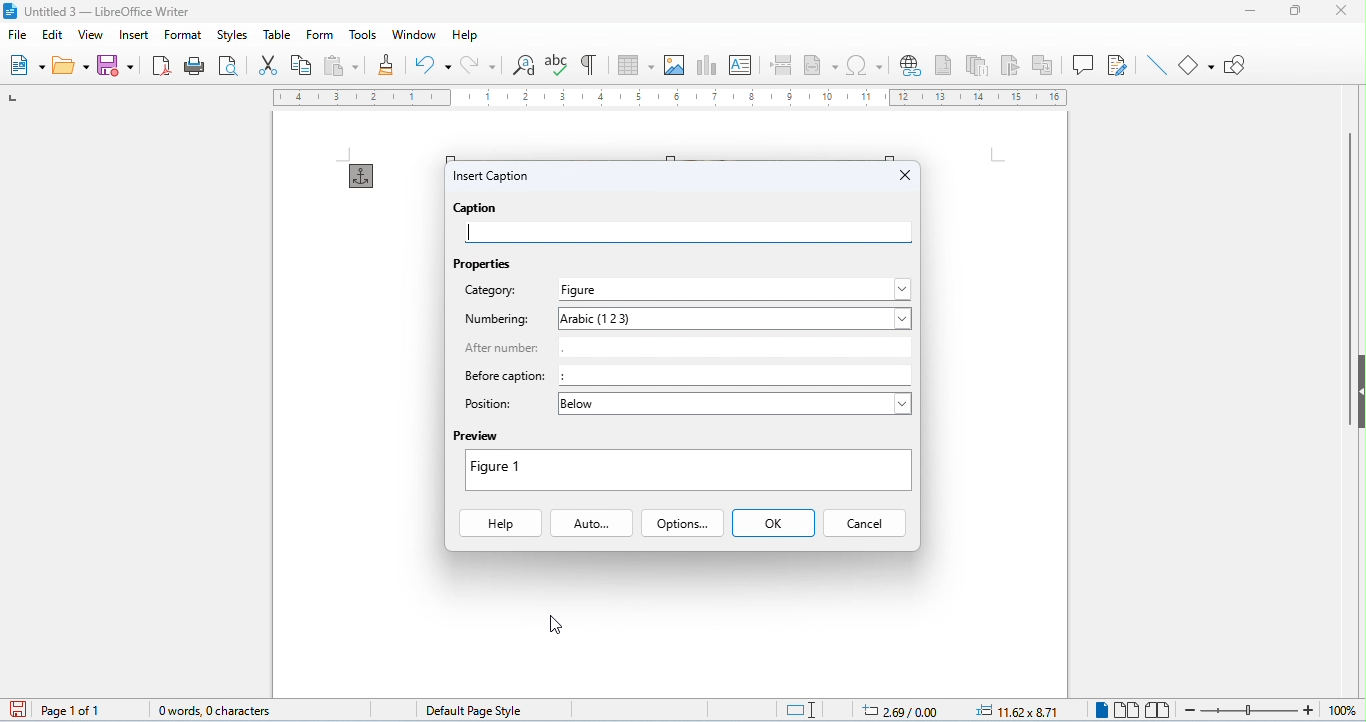 The width and height of the screenshot is (1366, 722). Describe the element at coordinates (120, 65) in the screenshot. I see `save` at that location.